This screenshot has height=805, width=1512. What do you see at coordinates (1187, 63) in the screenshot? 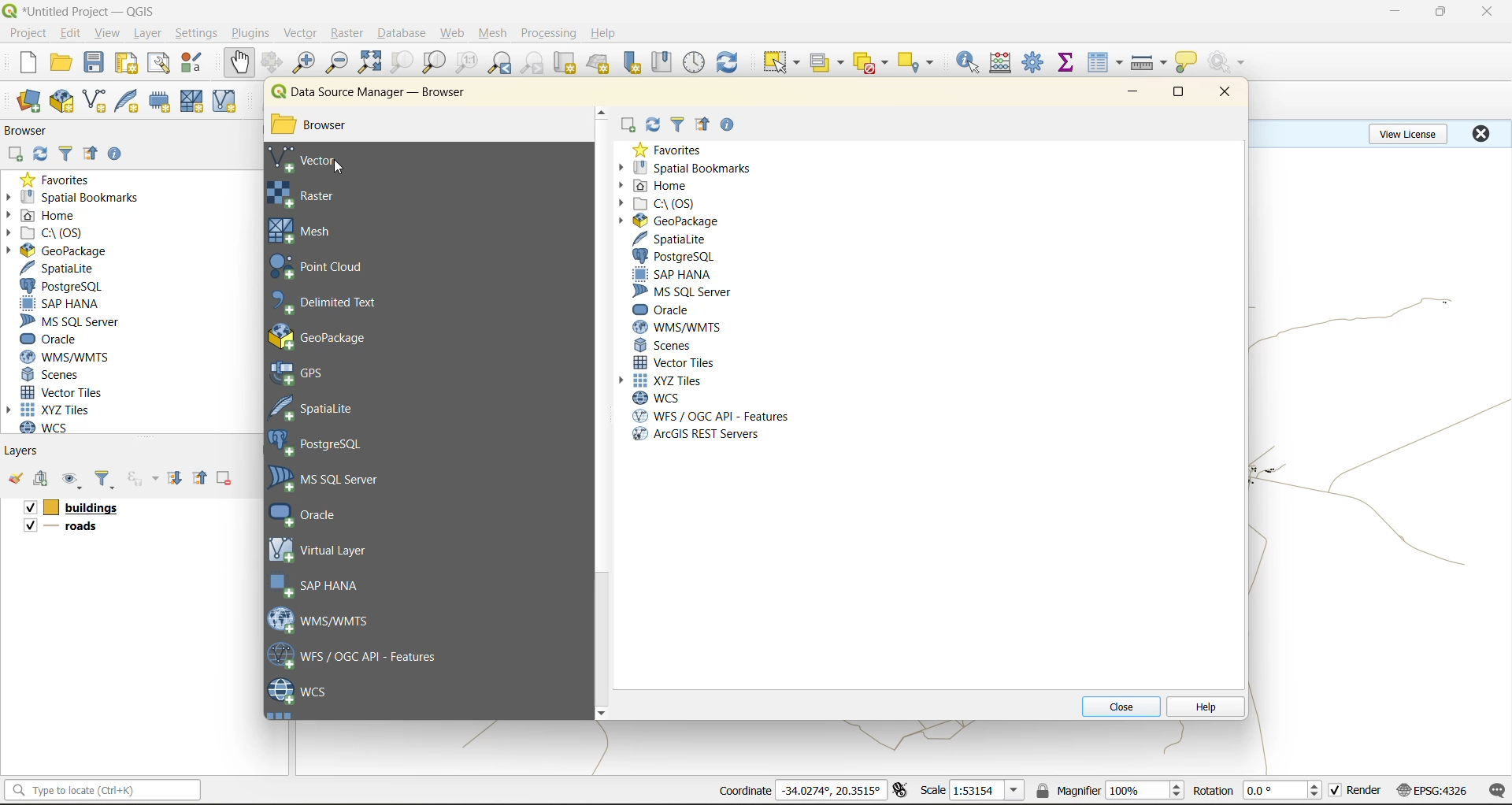
I see `show tips` at bounding box center [1187, 63].